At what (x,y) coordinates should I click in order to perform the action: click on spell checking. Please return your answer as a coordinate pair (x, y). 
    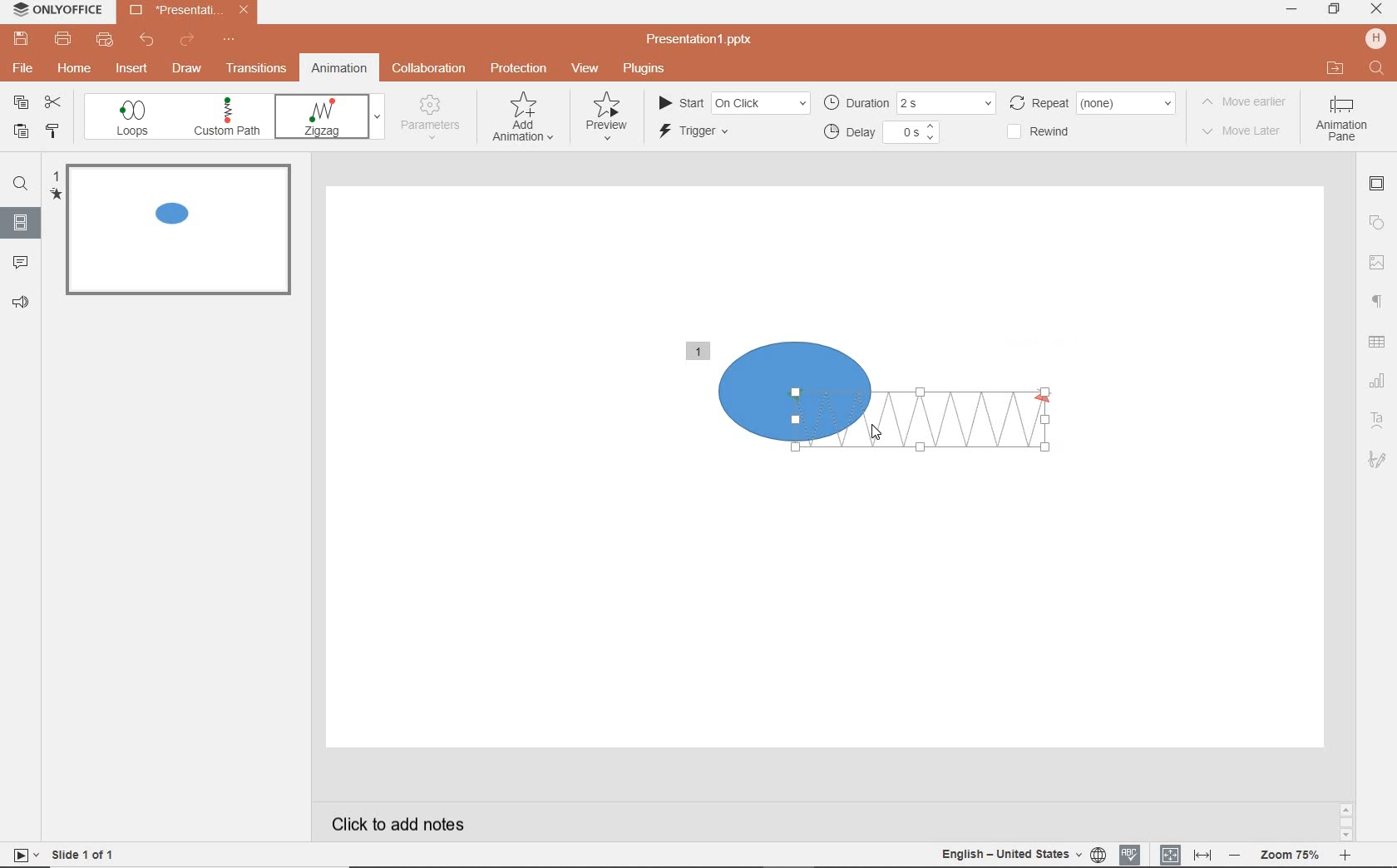
    Looking at the image, I should click on (1128, 854).